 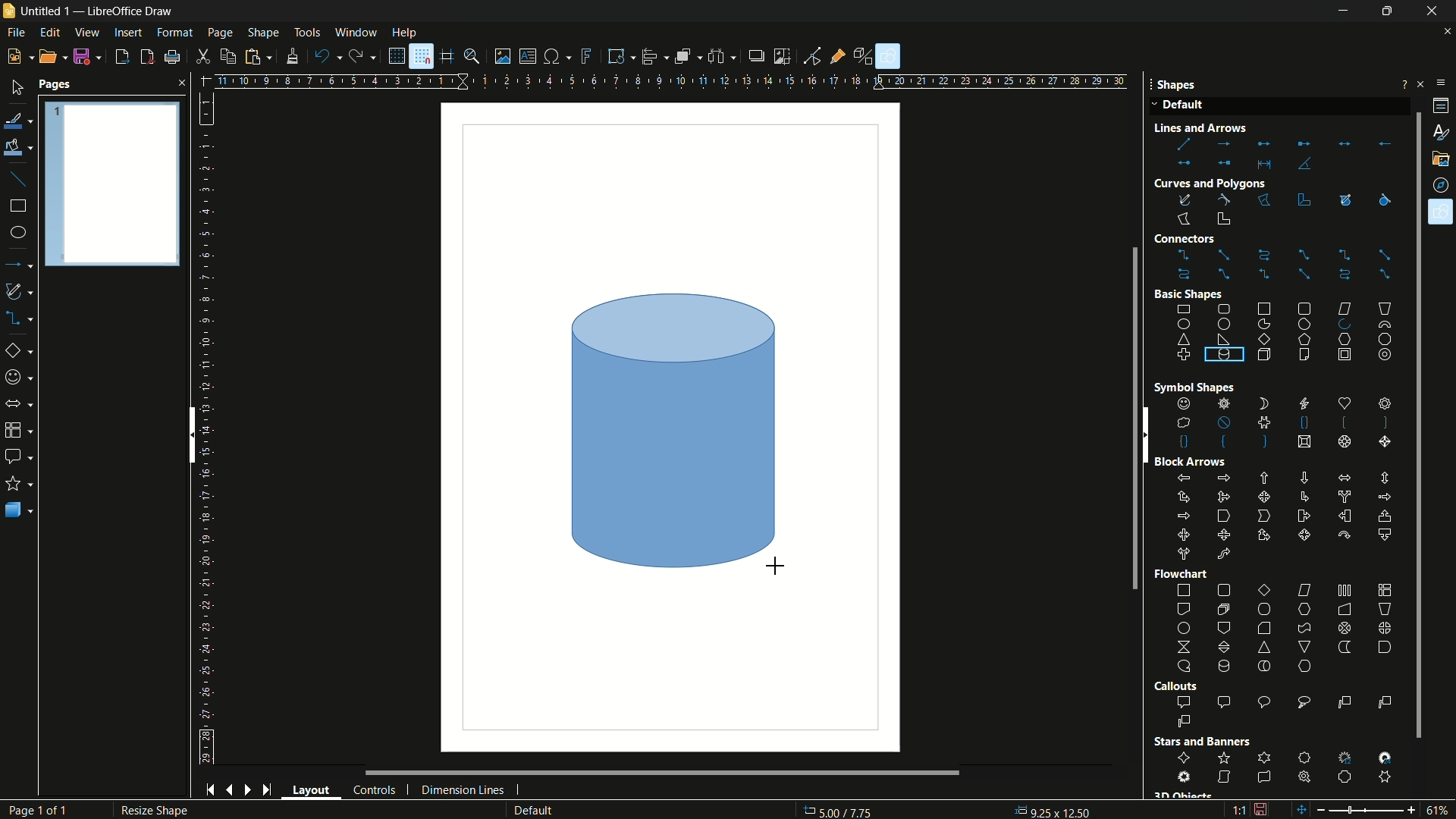 What do you see at coordinates (848, 811) in the screenshot?
I see `36.86` at bounding box center [848, 811].